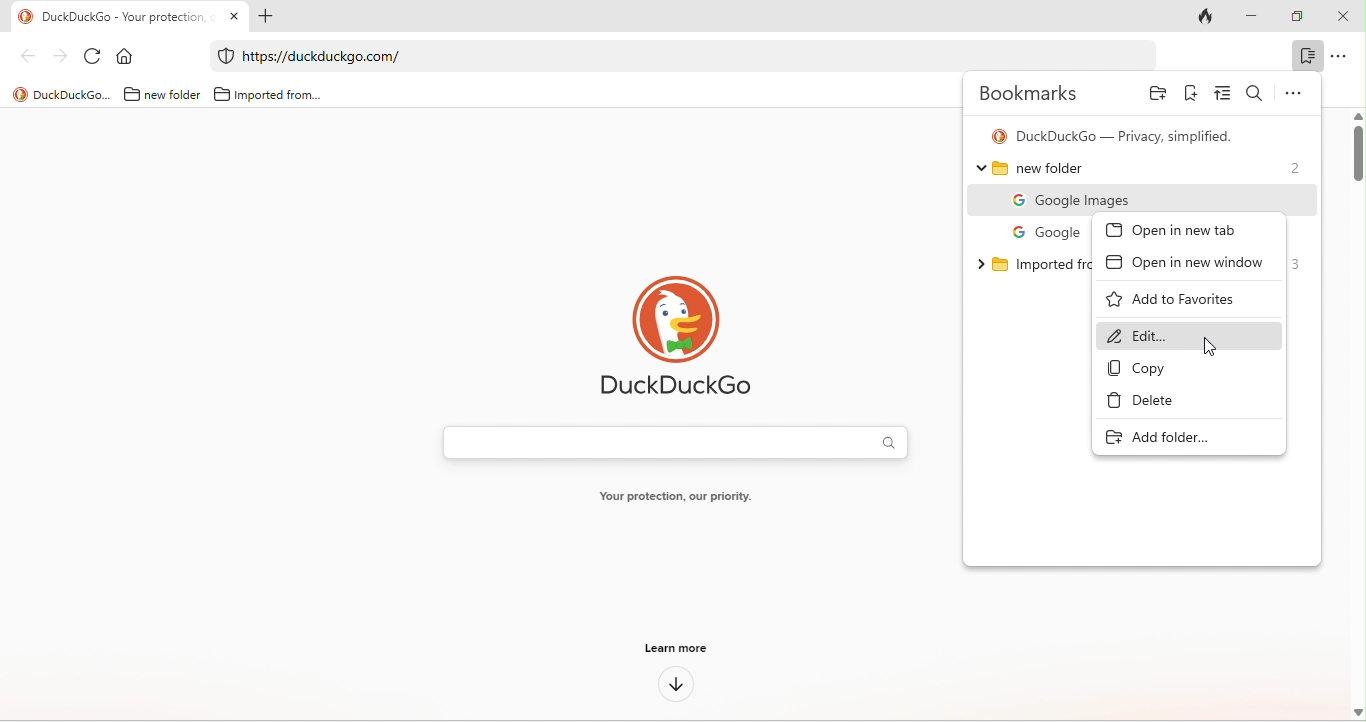  I want to click on add to favourites, so click(1185, 300).